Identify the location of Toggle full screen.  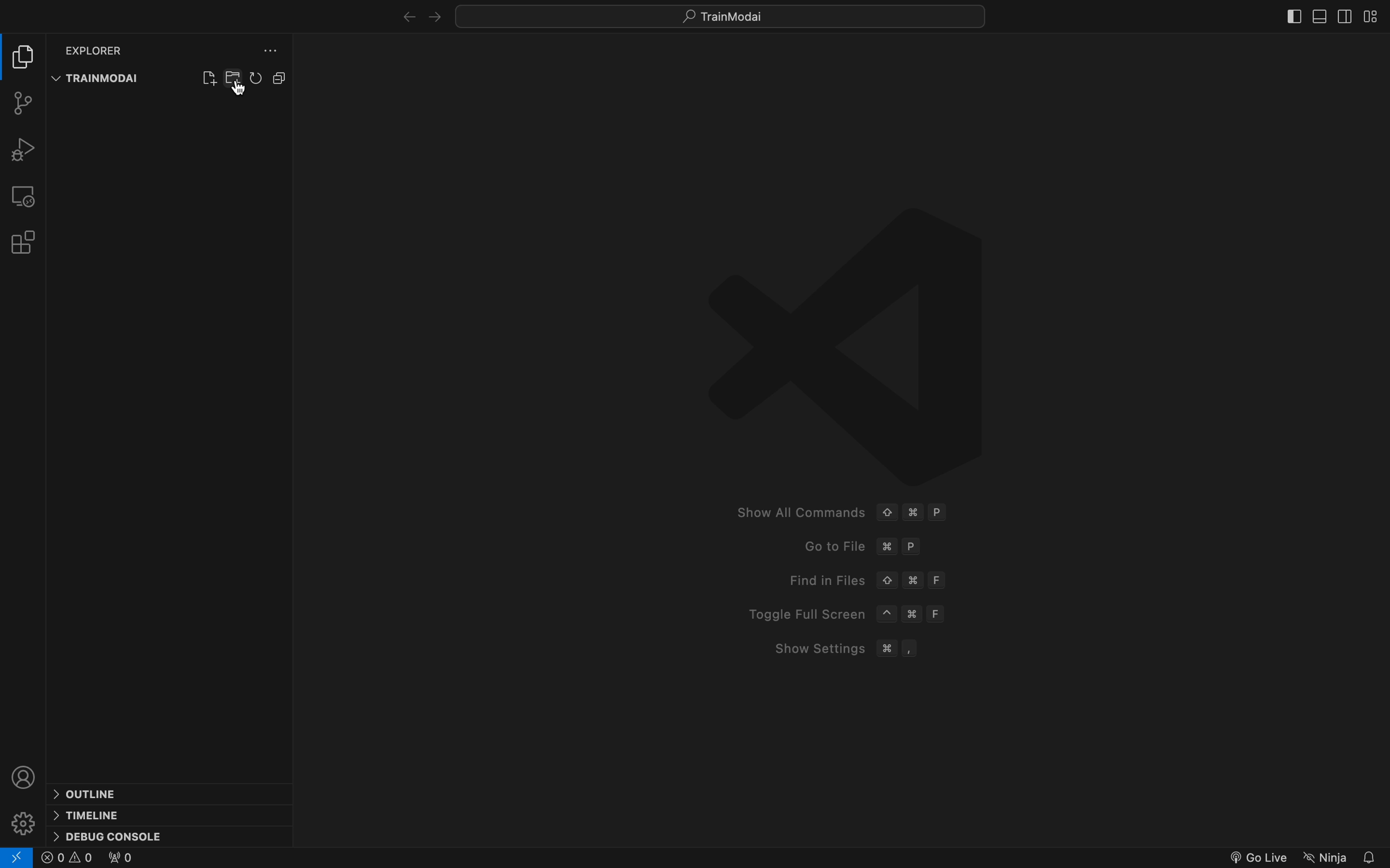
(841, 614).